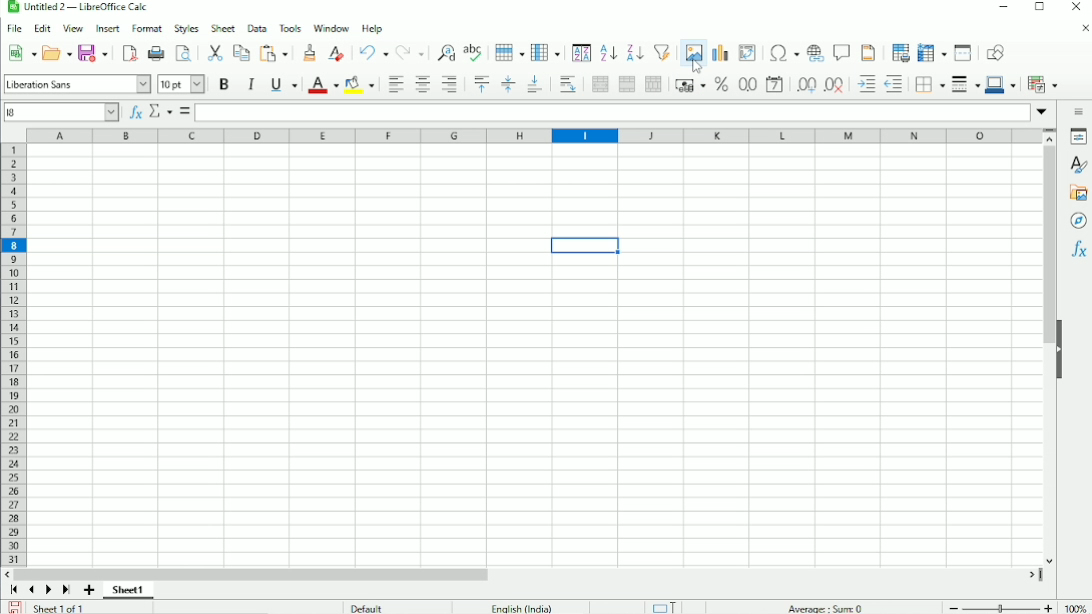 The width and height of the screenshot is (1092, 614). I want to click on Define print area, so click(899, 52).